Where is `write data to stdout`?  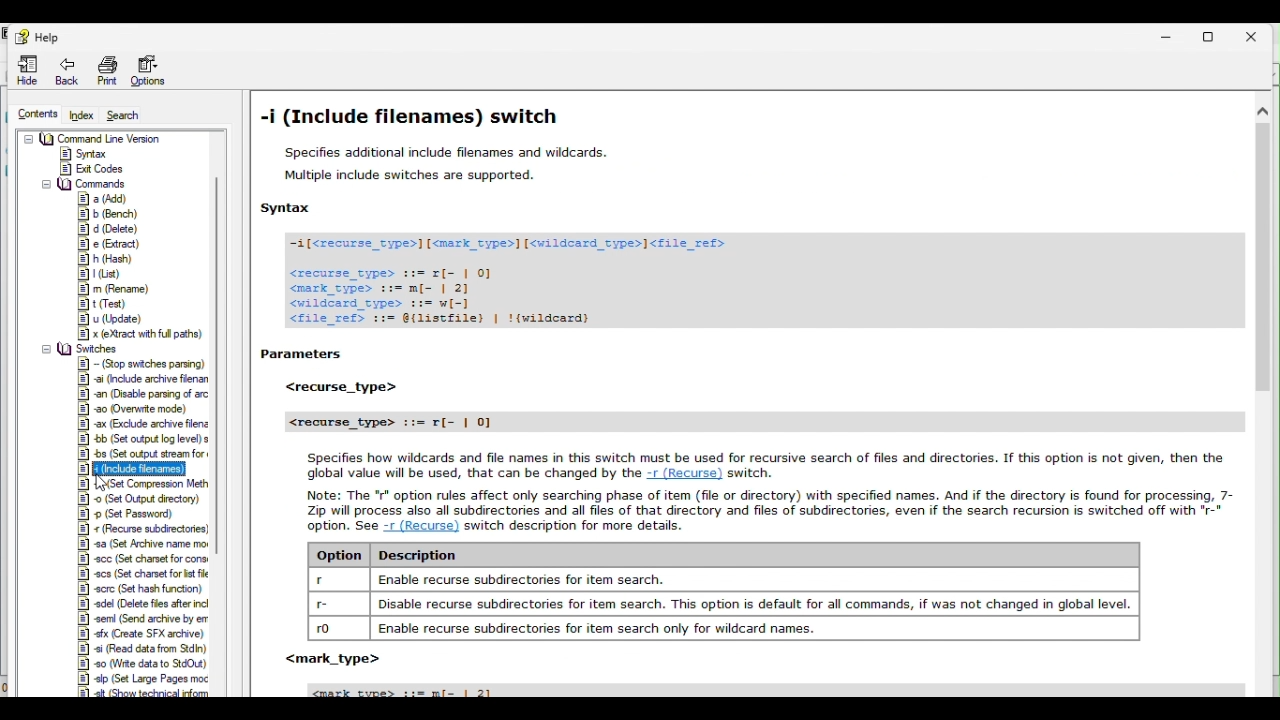 write data to stdout is located at coordinates (143, 666).